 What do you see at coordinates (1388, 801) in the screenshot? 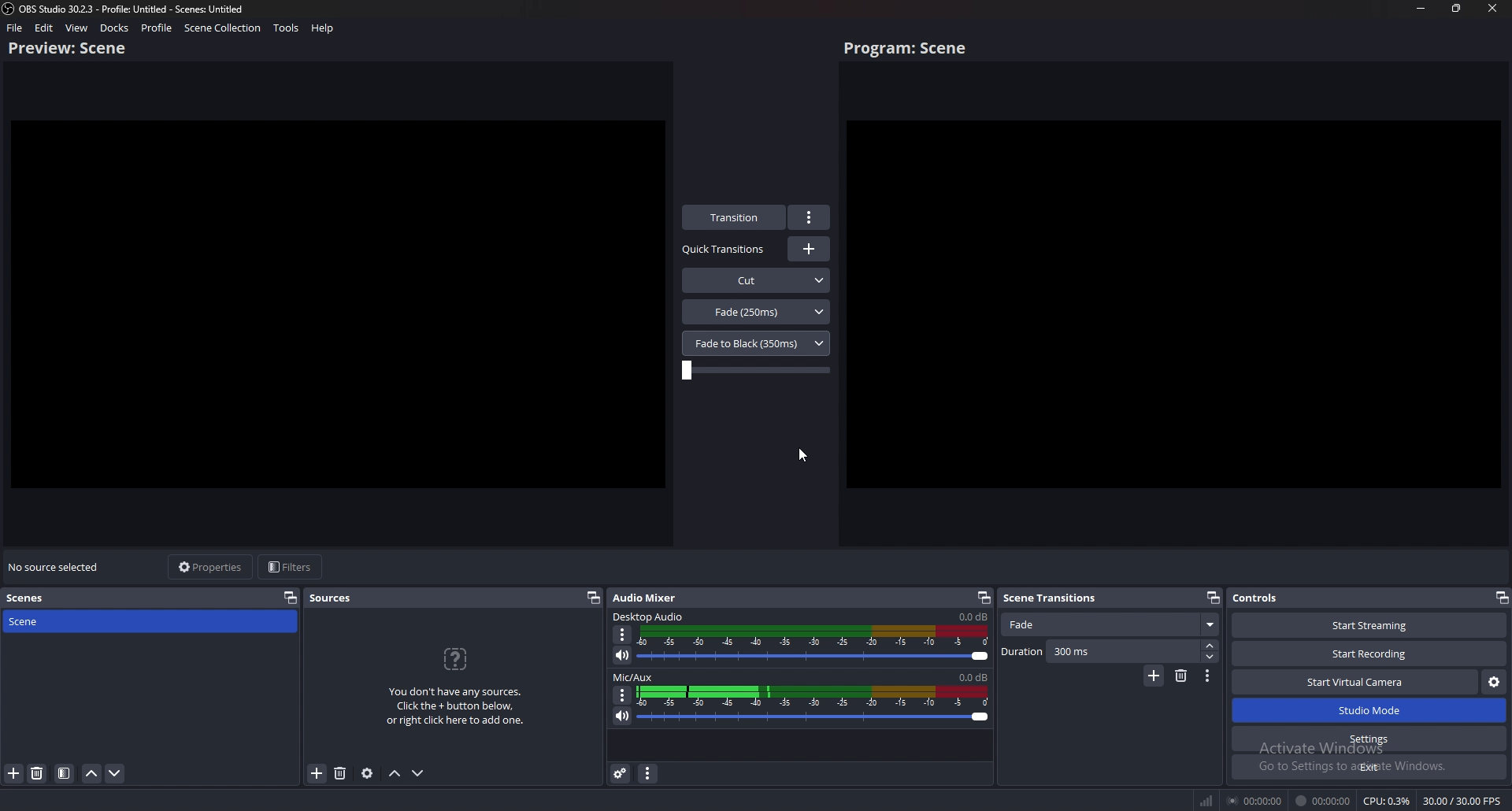
I see `CPU: 0.3%` at bounding box center [1388, 801].